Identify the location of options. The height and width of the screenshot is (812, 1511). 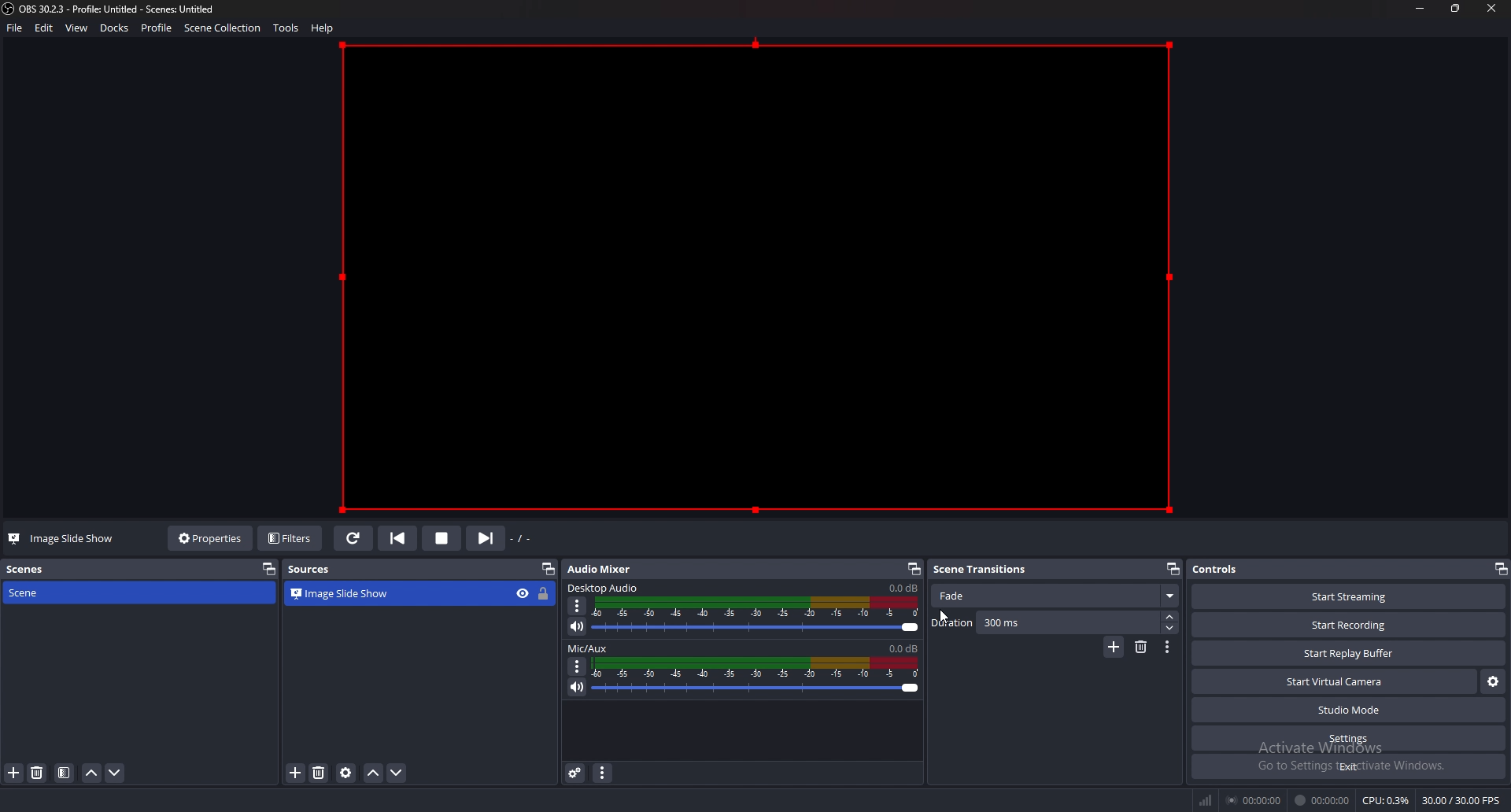
(578, 606).